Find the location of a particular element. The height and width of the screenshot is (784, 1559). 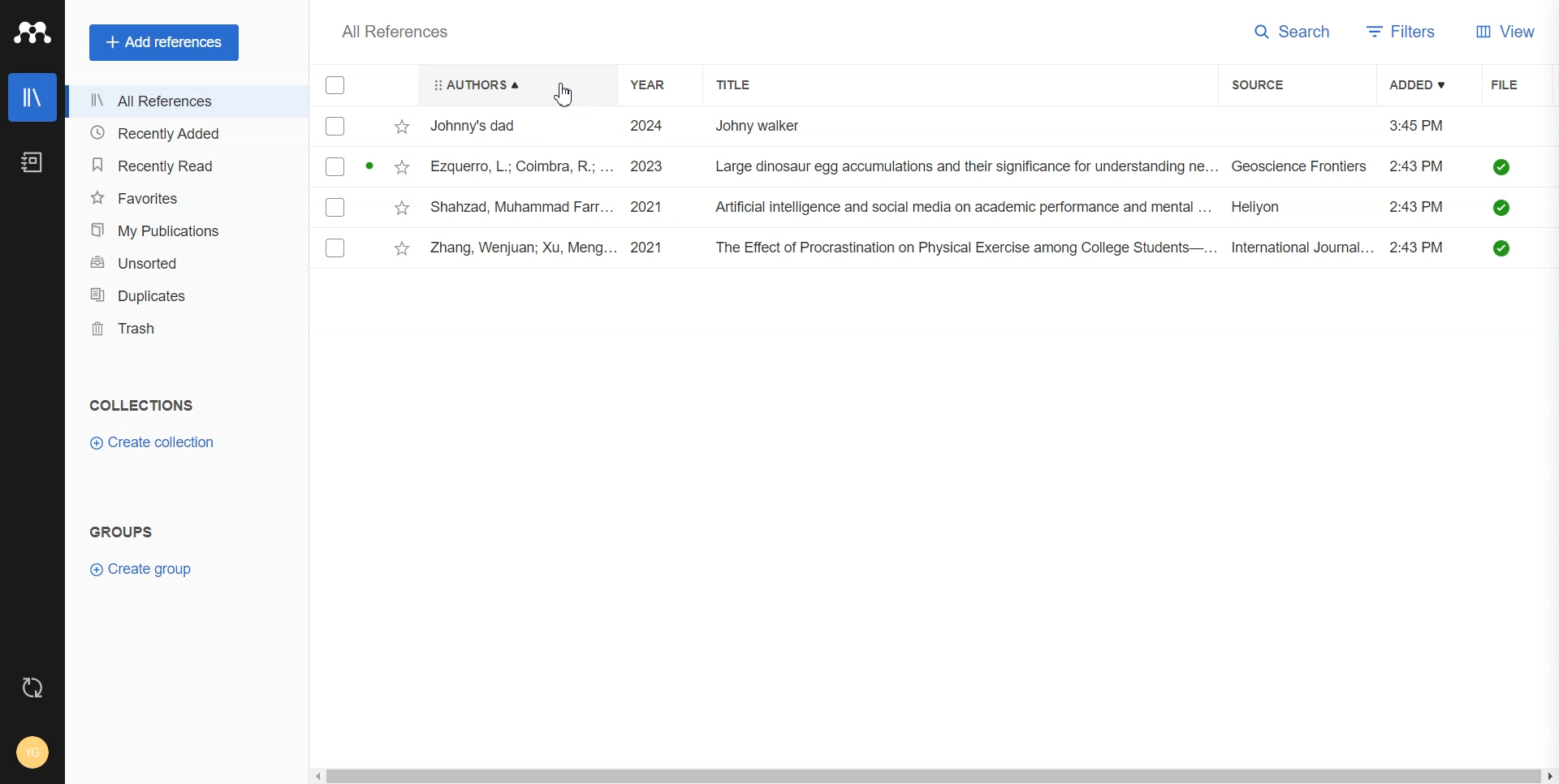

2:43 PM is located at coordinates (1418, 167).